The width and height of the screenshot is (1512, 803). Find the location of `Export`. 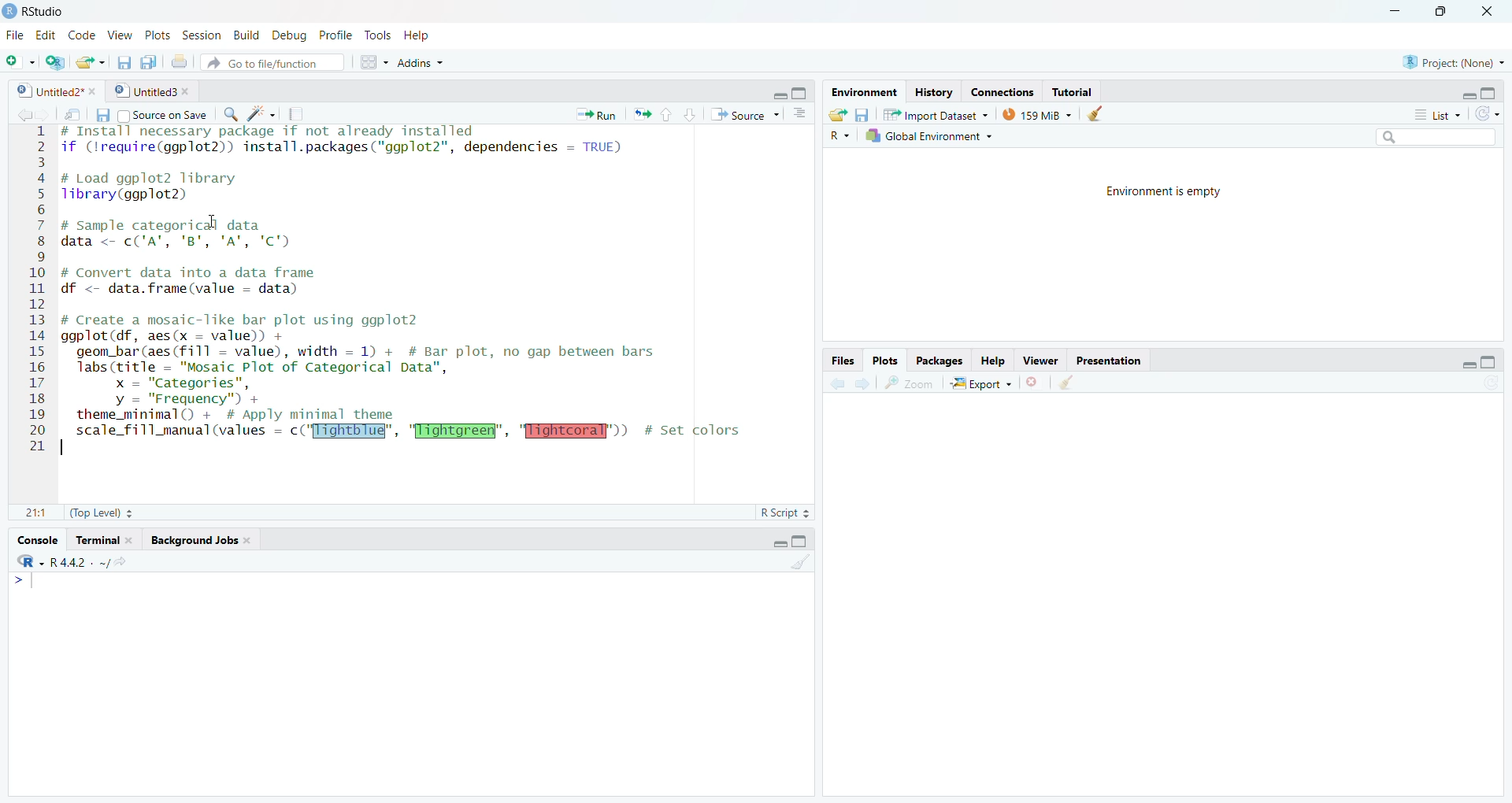

Export is located at coordinates (982, 383).